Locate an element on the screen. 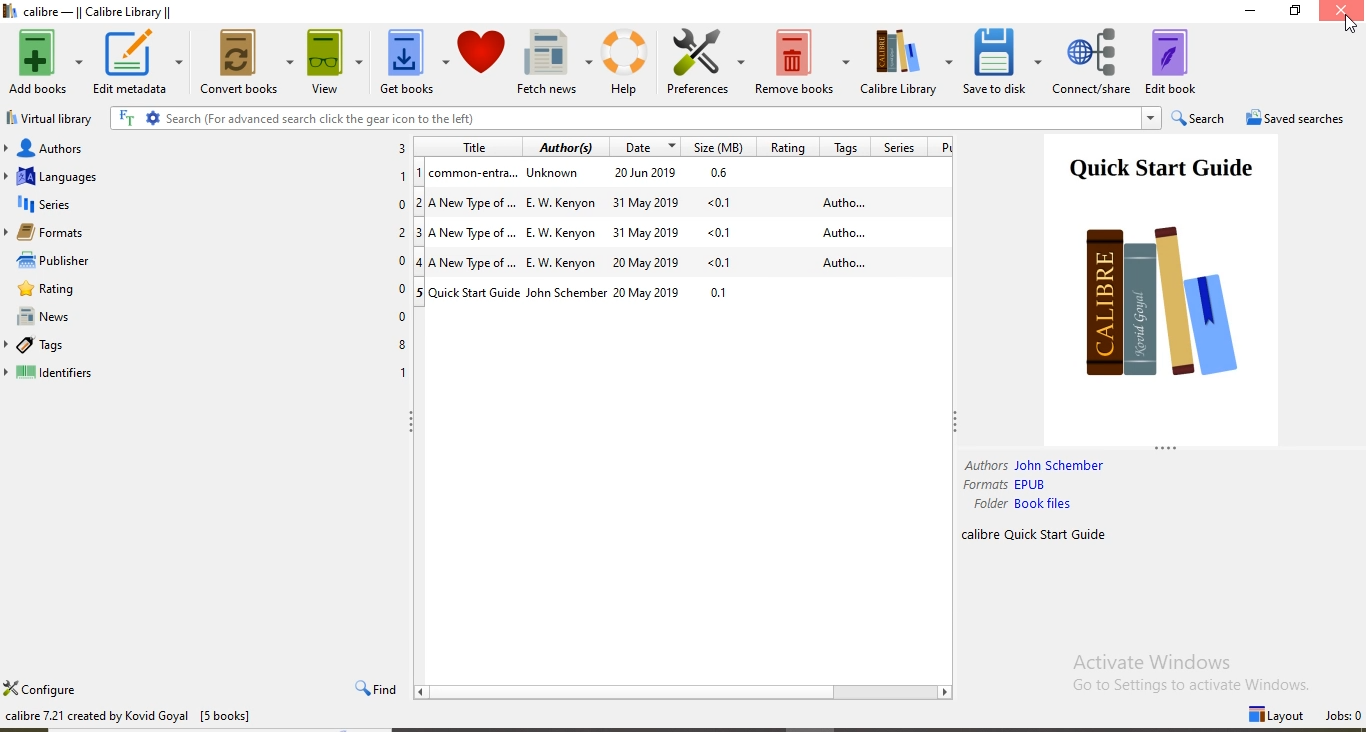 The height and width of the screenshot is (732, 1366). Date is located at coordinates (652, 146).